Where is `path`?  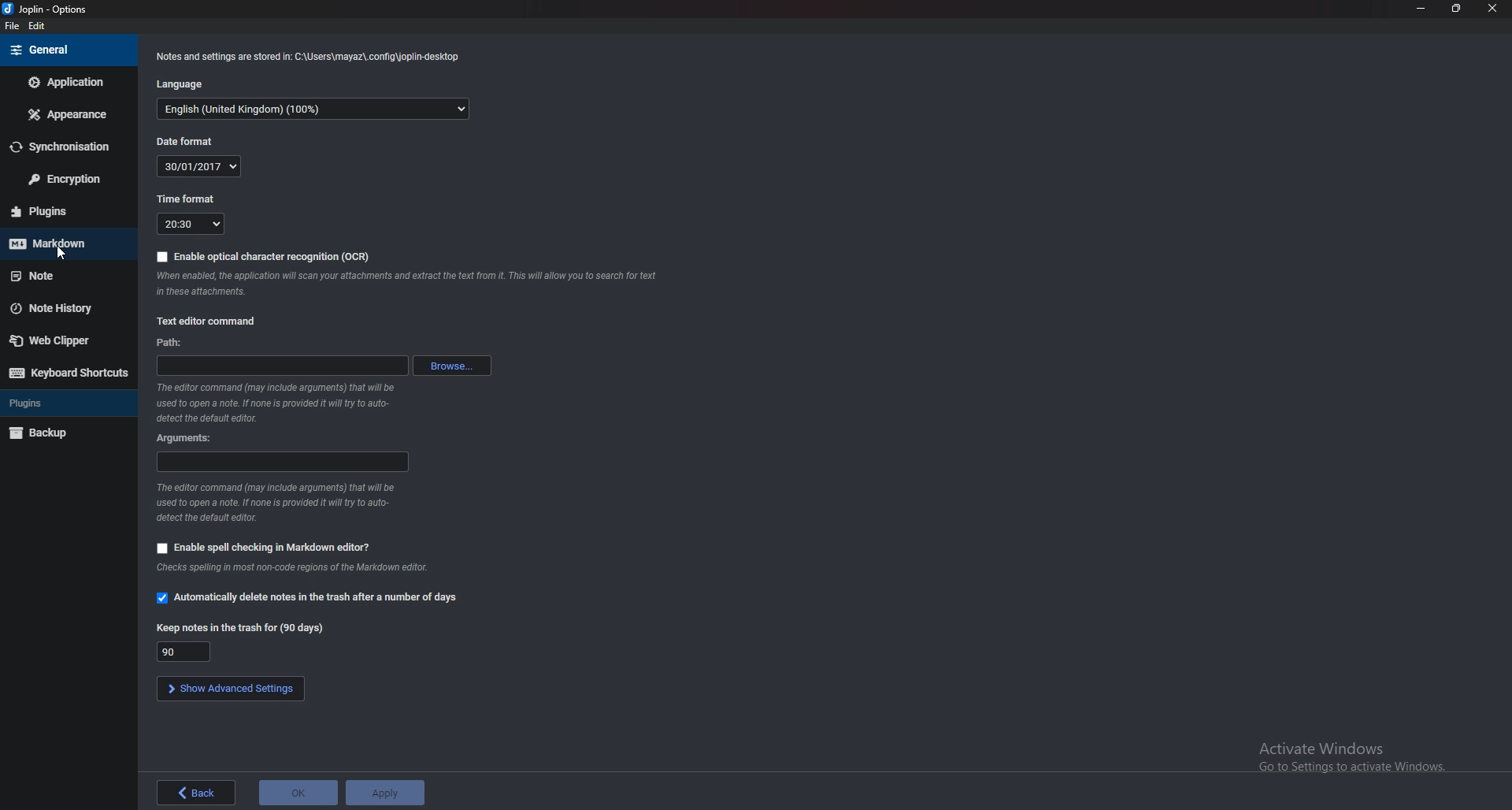
path is located at coordinates (172, 342).